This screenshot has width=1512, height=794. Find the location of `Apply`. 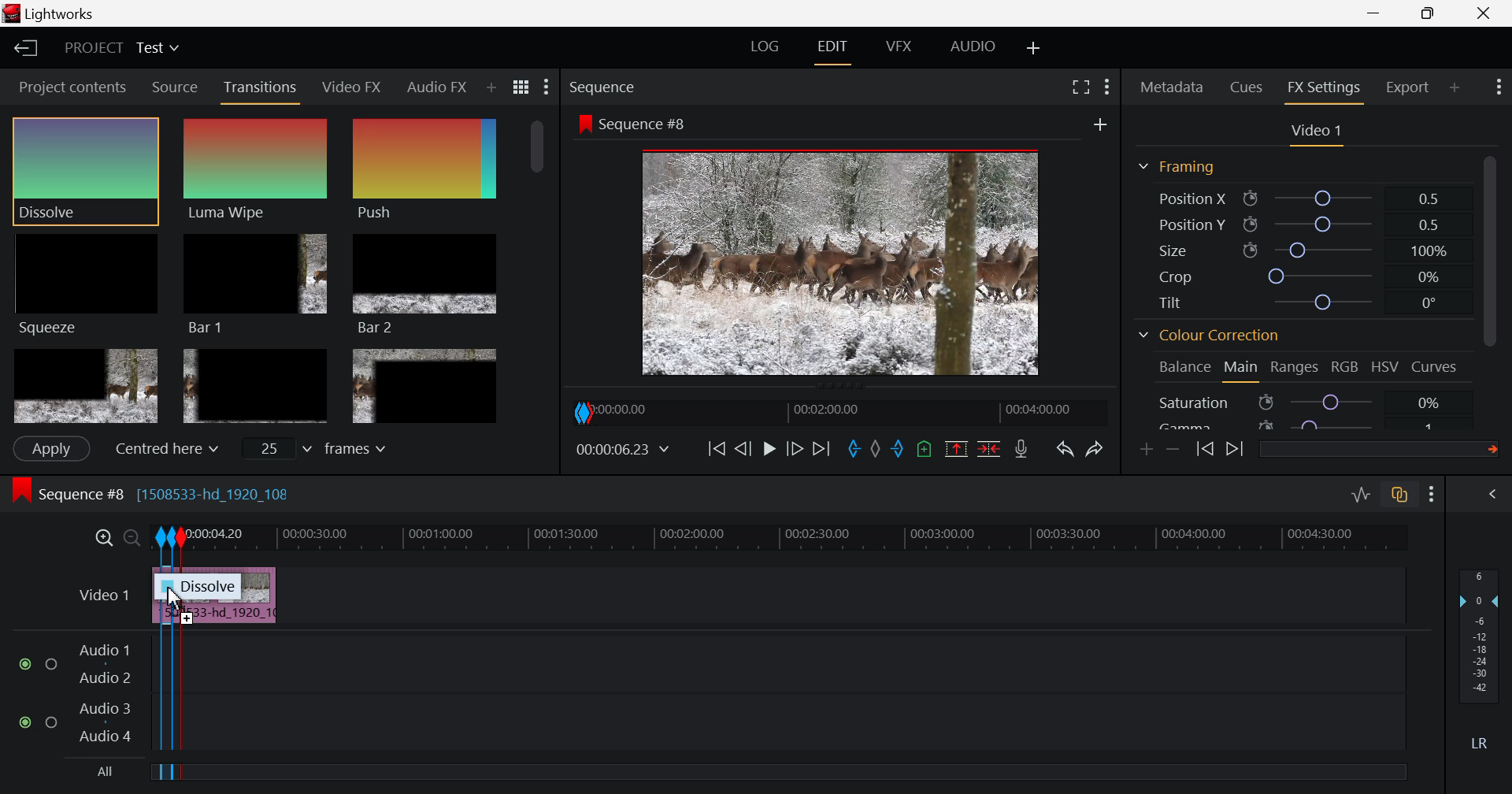

Apply is located at coordinates (50, 448).